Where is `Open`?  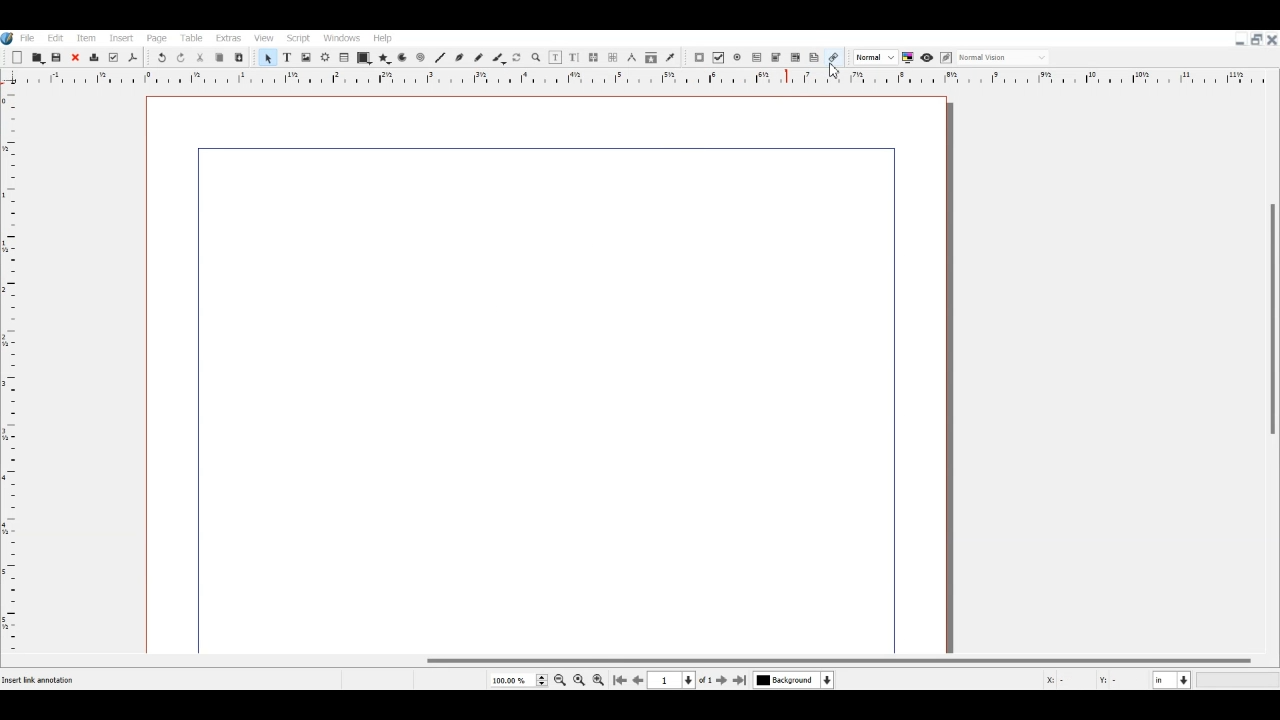 Open is located at coordinates (39, 57).